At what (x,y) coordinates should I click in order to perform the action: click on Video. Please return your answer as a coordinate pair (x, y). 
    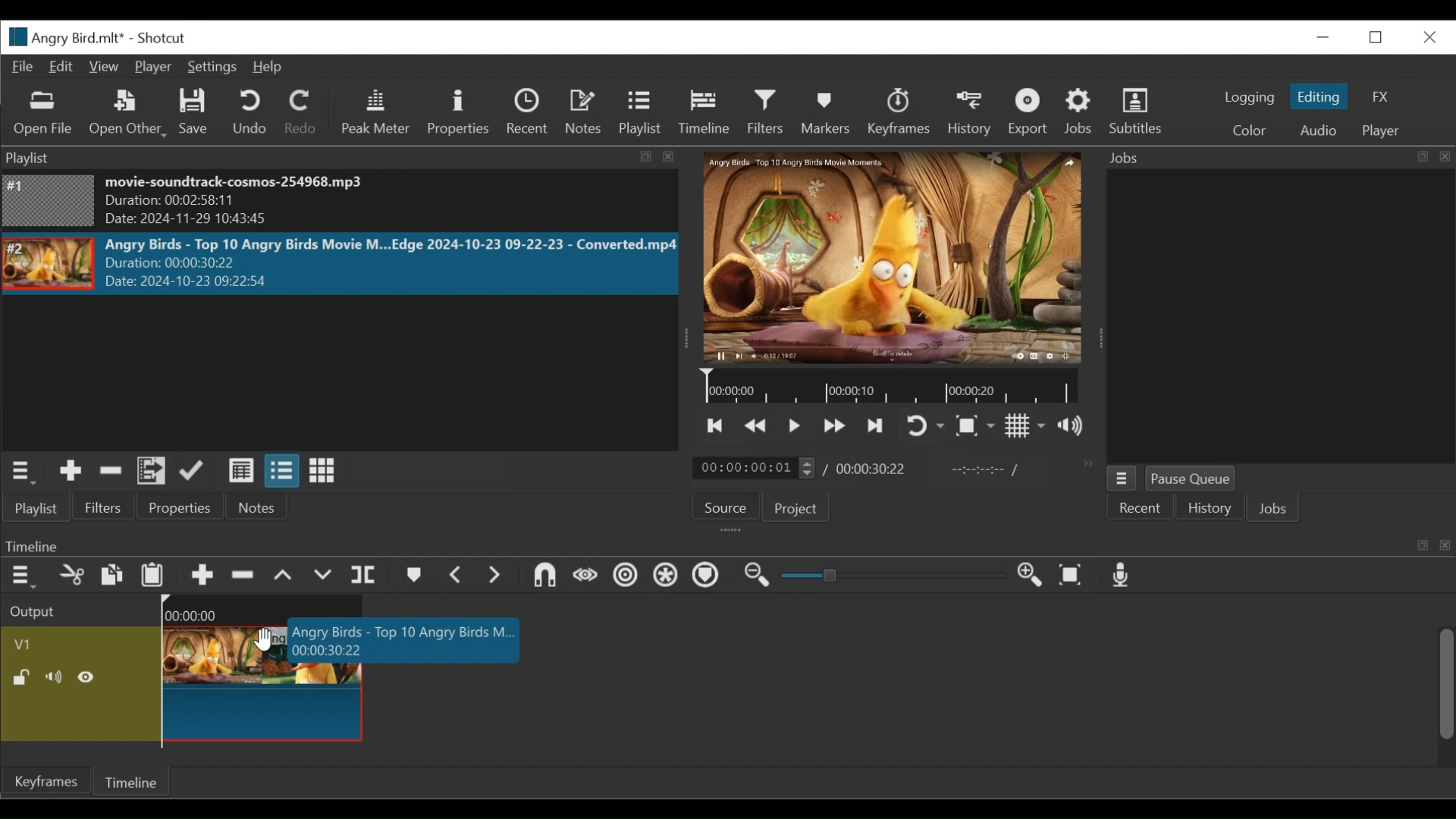
    Looking at the image, I should click on (77, 644).